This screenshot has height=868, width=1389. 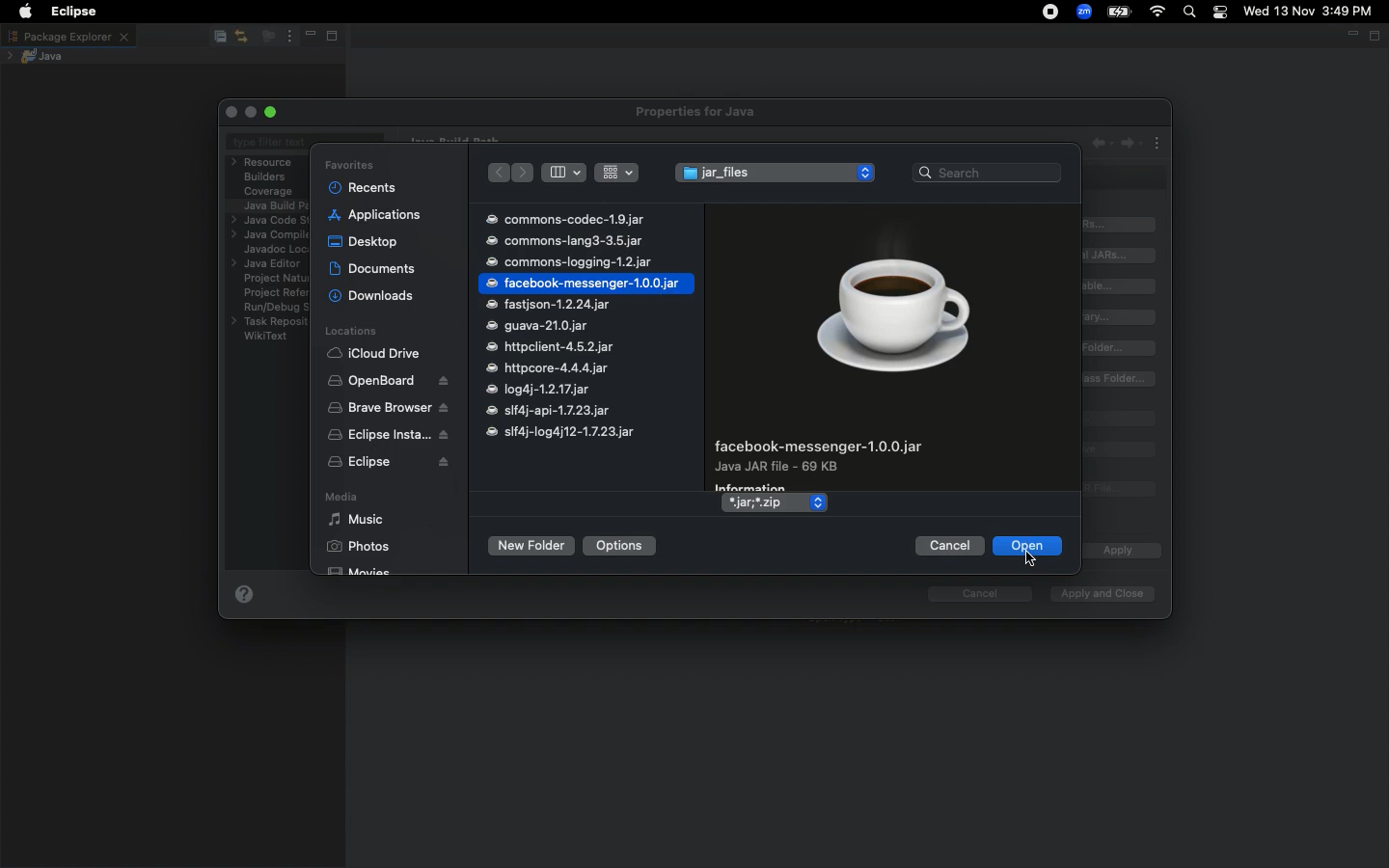 I want to click on Add library, so click(x=1123, y=317).